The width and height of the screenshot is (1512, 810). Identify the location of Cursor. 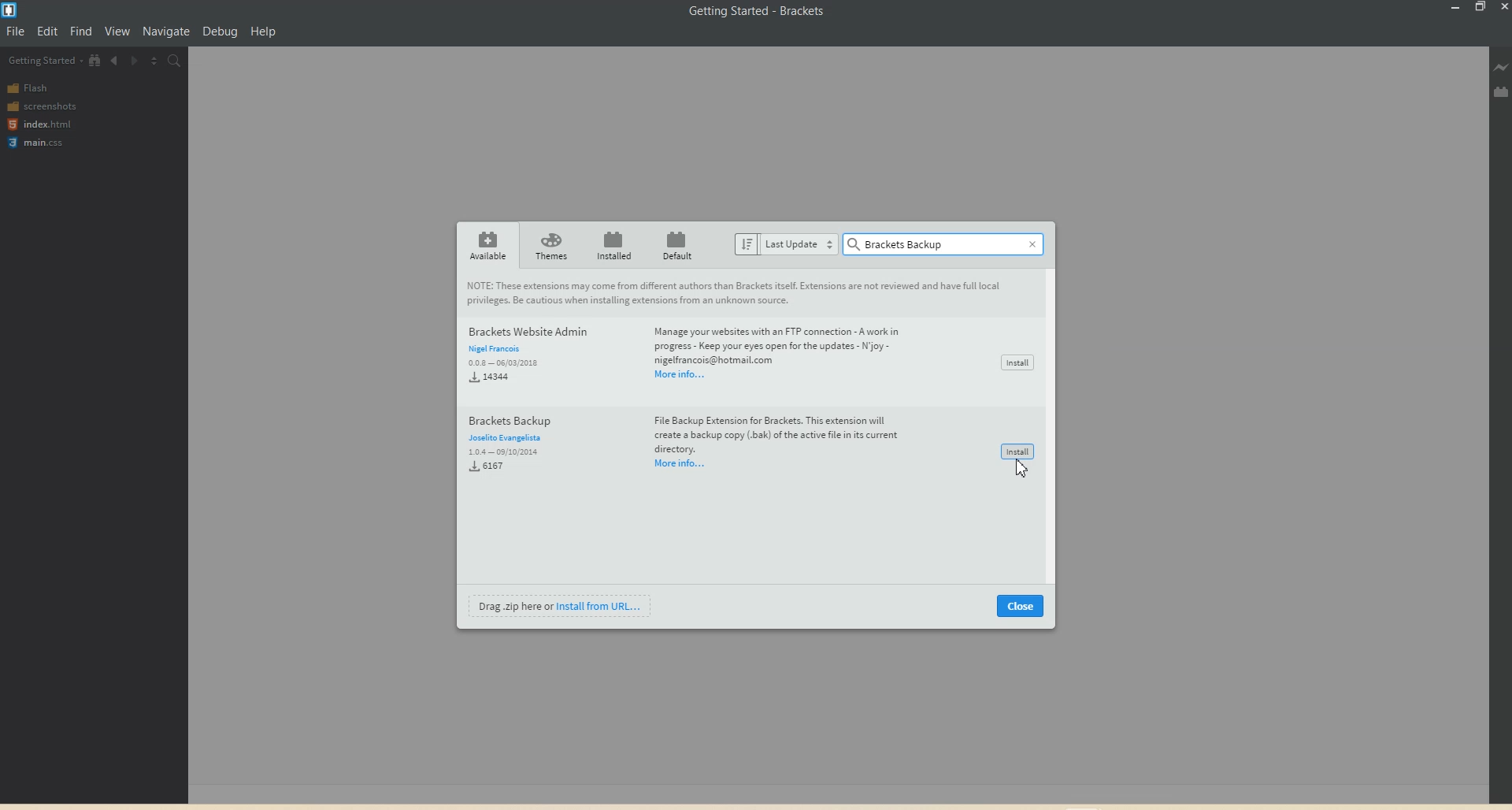
(1020, 474).